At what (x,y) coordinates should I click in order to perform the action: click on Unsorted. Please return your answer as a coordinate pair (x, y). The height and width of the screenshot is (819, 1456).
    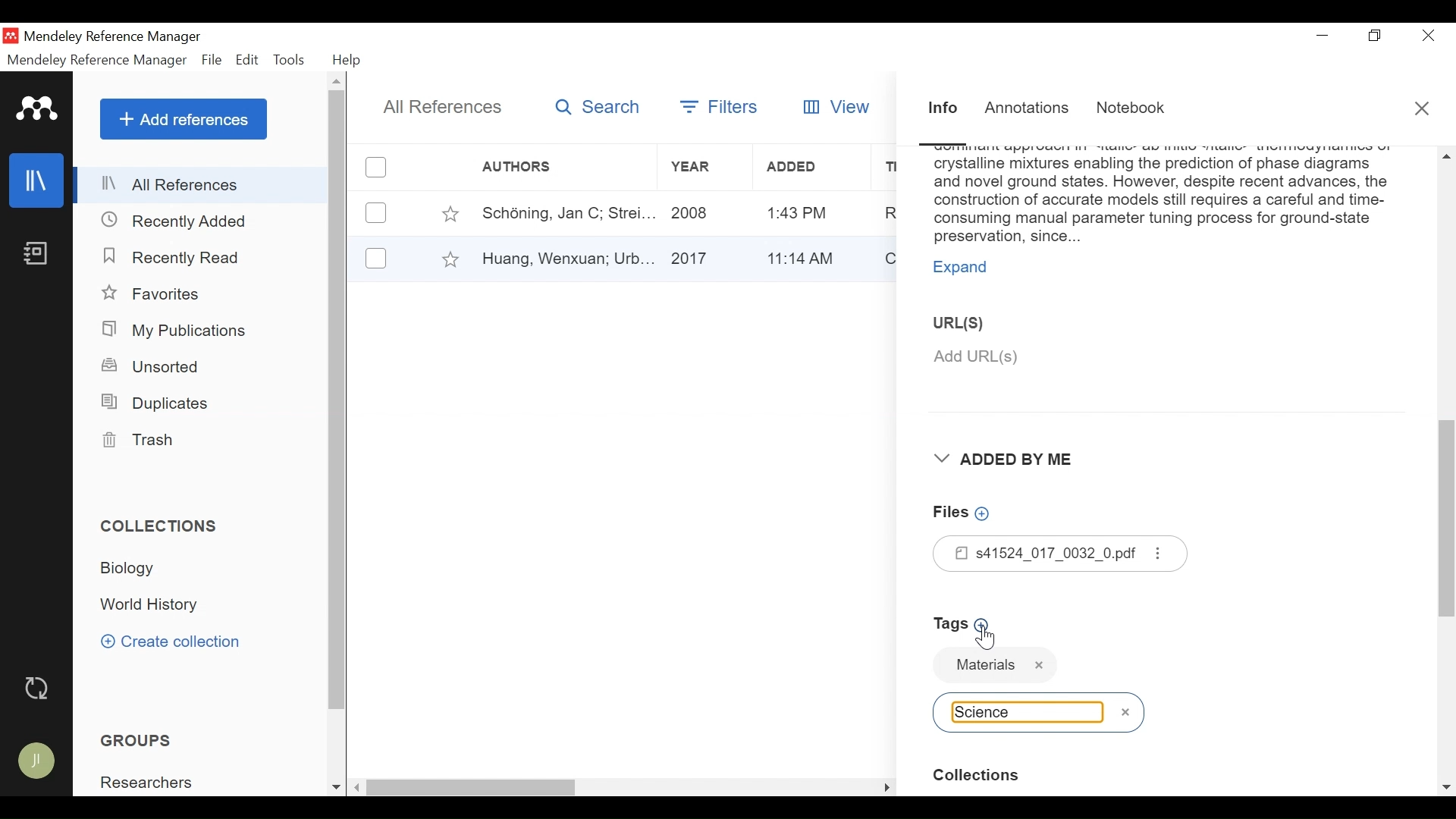
    Looking at the image, I should click on (152, 366).